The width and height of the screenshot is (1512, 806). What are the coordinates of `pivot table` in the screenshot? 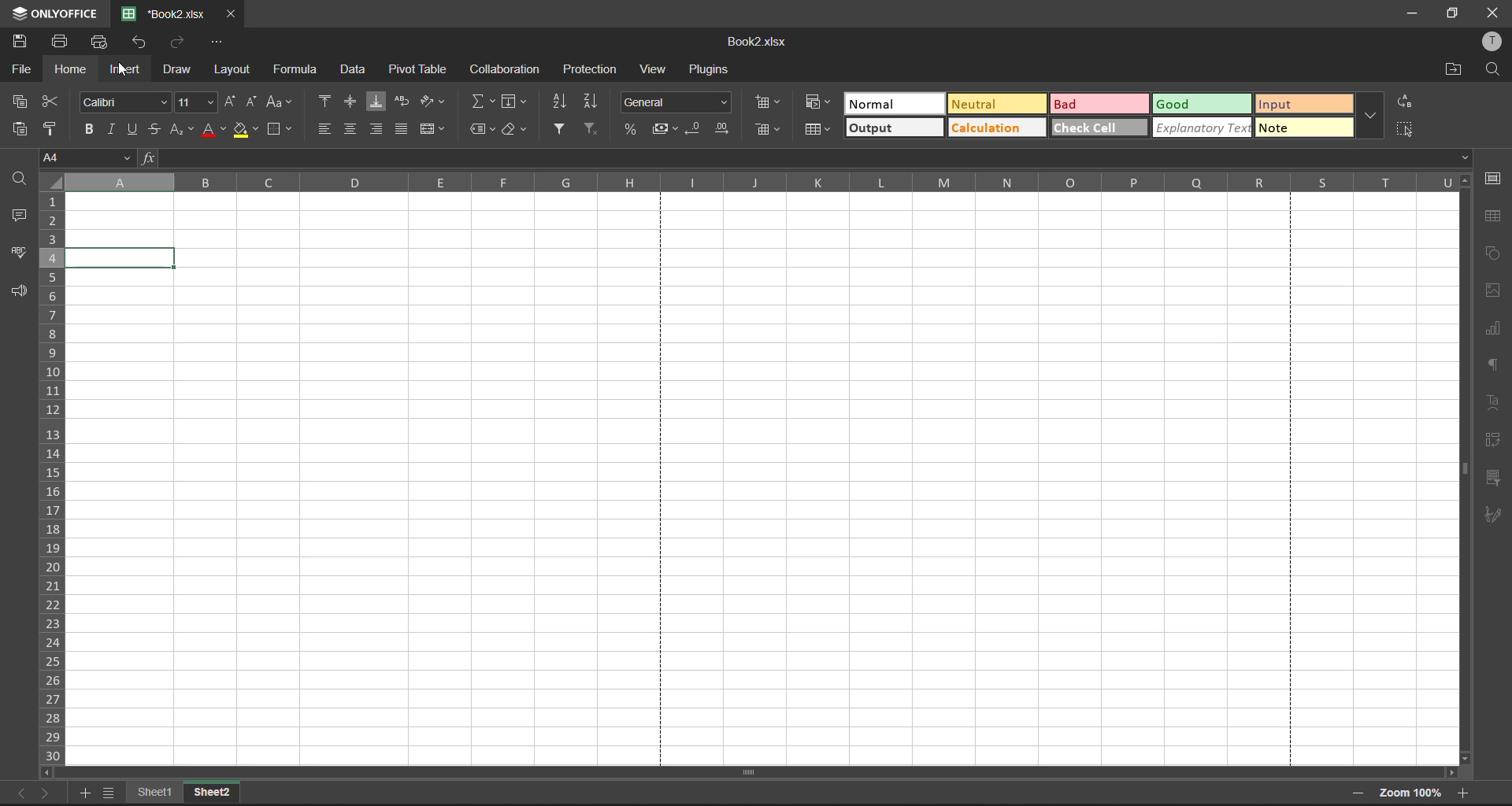 It's located at (1492, 442).